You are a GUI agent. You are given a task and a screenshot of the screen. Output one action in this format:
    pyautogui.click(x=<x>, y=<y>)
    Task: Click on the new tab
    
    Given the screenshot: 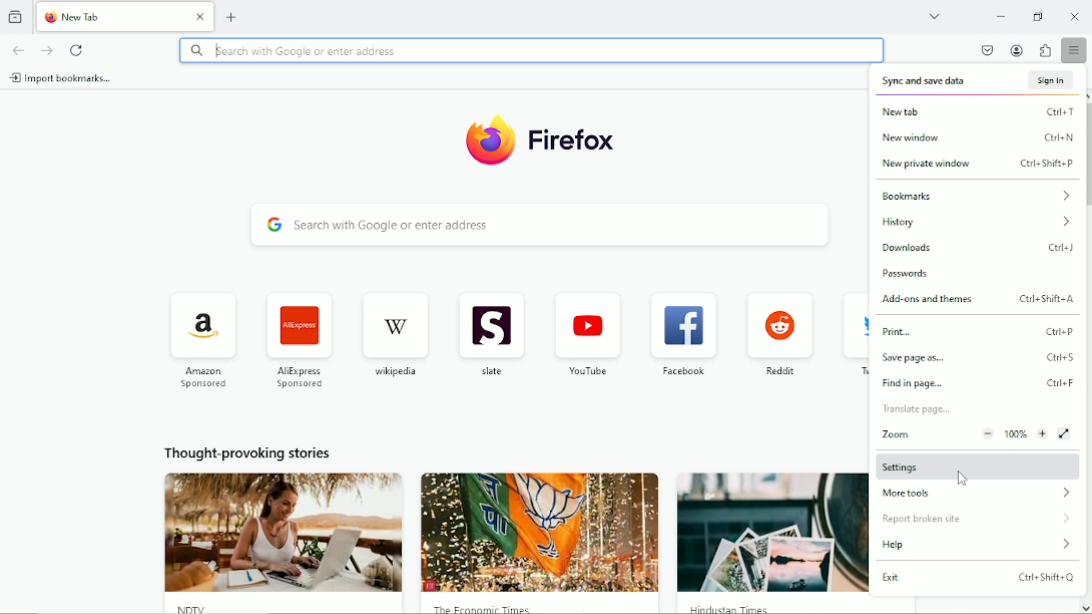 What is the action you would take?
    pyautogui.click(x=232, y=17)
    